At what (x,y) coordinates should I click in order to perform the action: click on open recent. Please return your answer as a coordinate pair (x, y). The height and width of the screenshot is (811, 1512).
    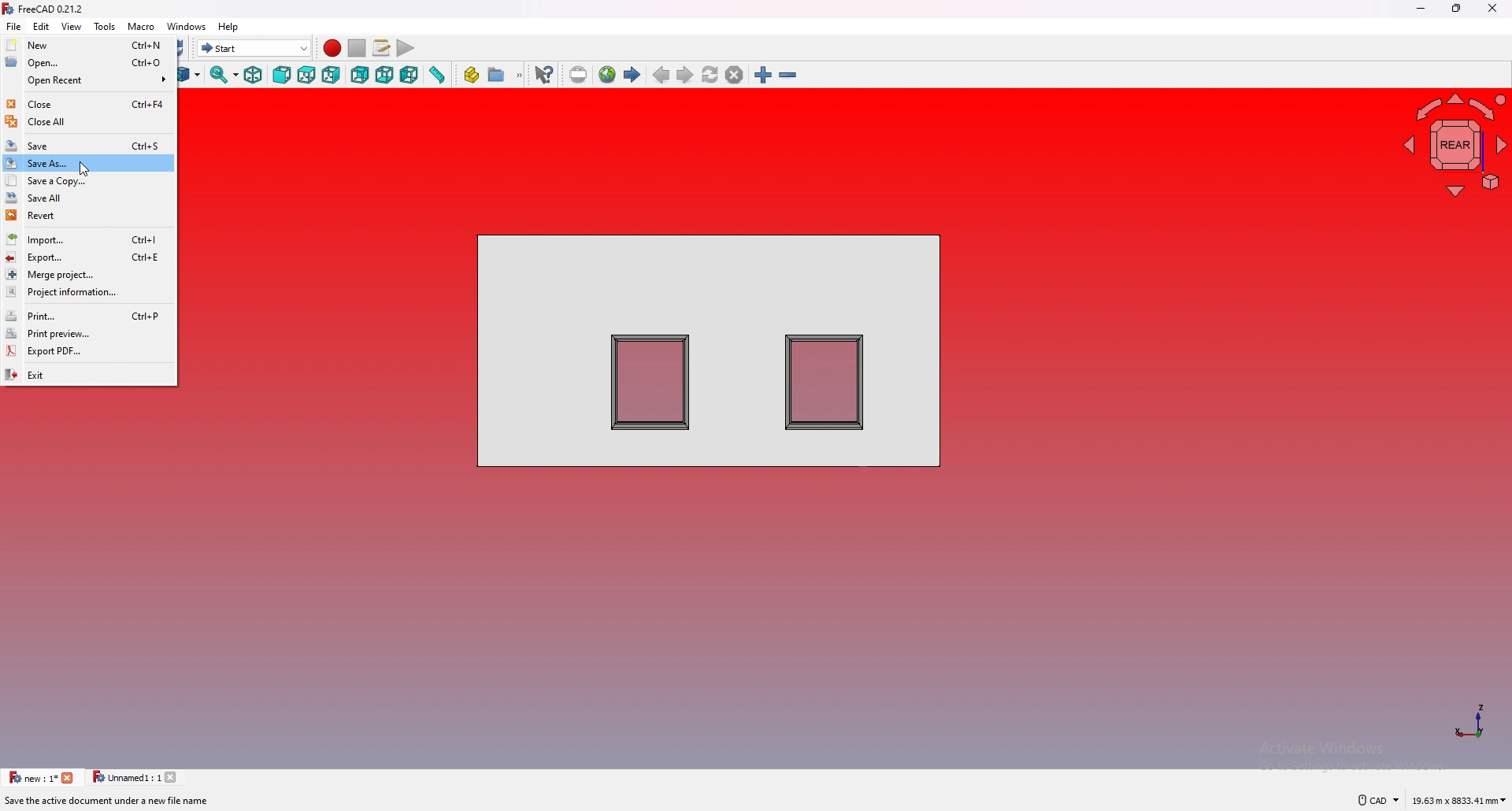
    Looking at the image, I should click on (89, 80).